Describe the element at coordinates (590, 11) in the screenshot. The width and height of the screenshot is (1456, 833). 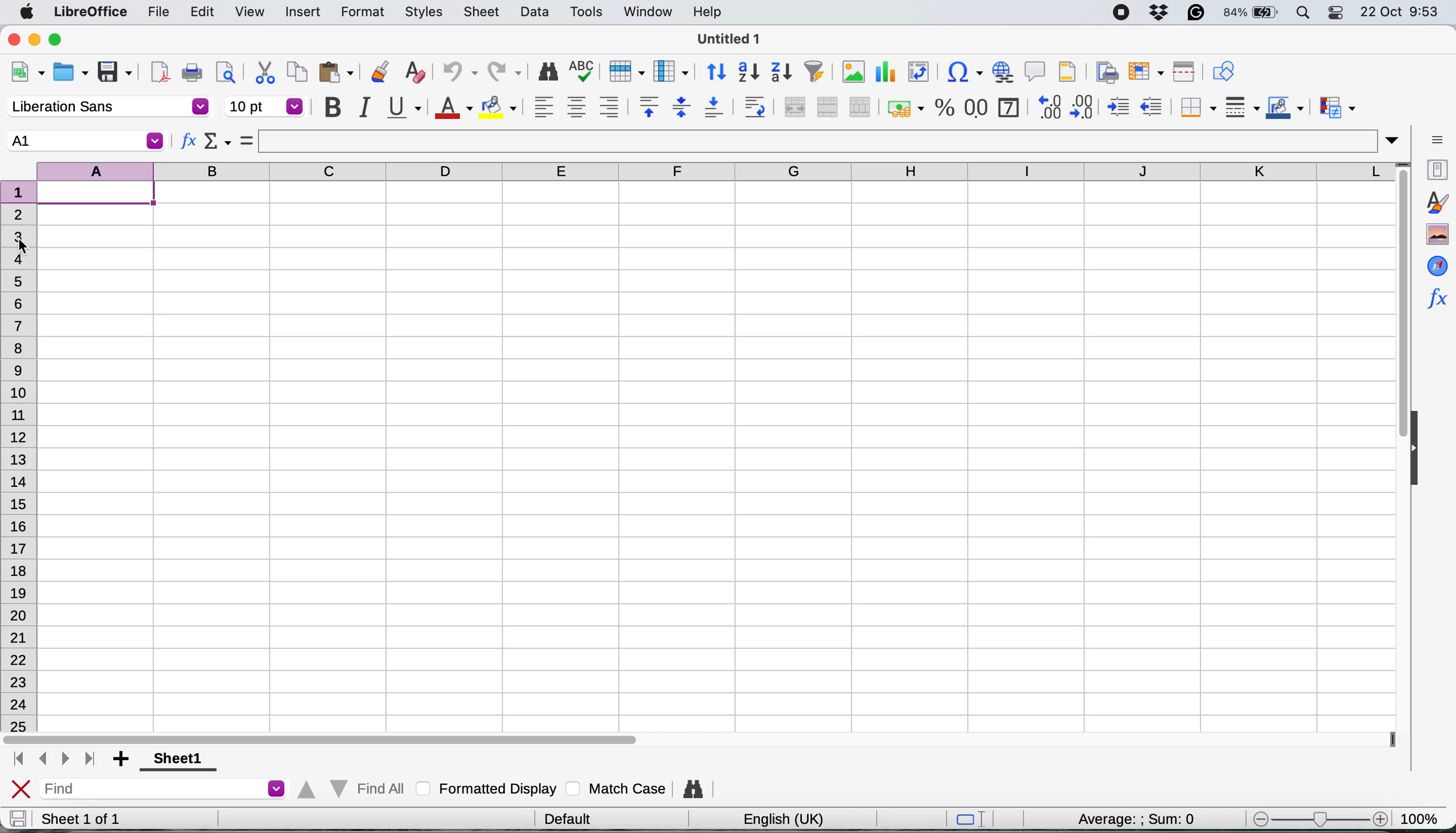
I see `tools` at that location.